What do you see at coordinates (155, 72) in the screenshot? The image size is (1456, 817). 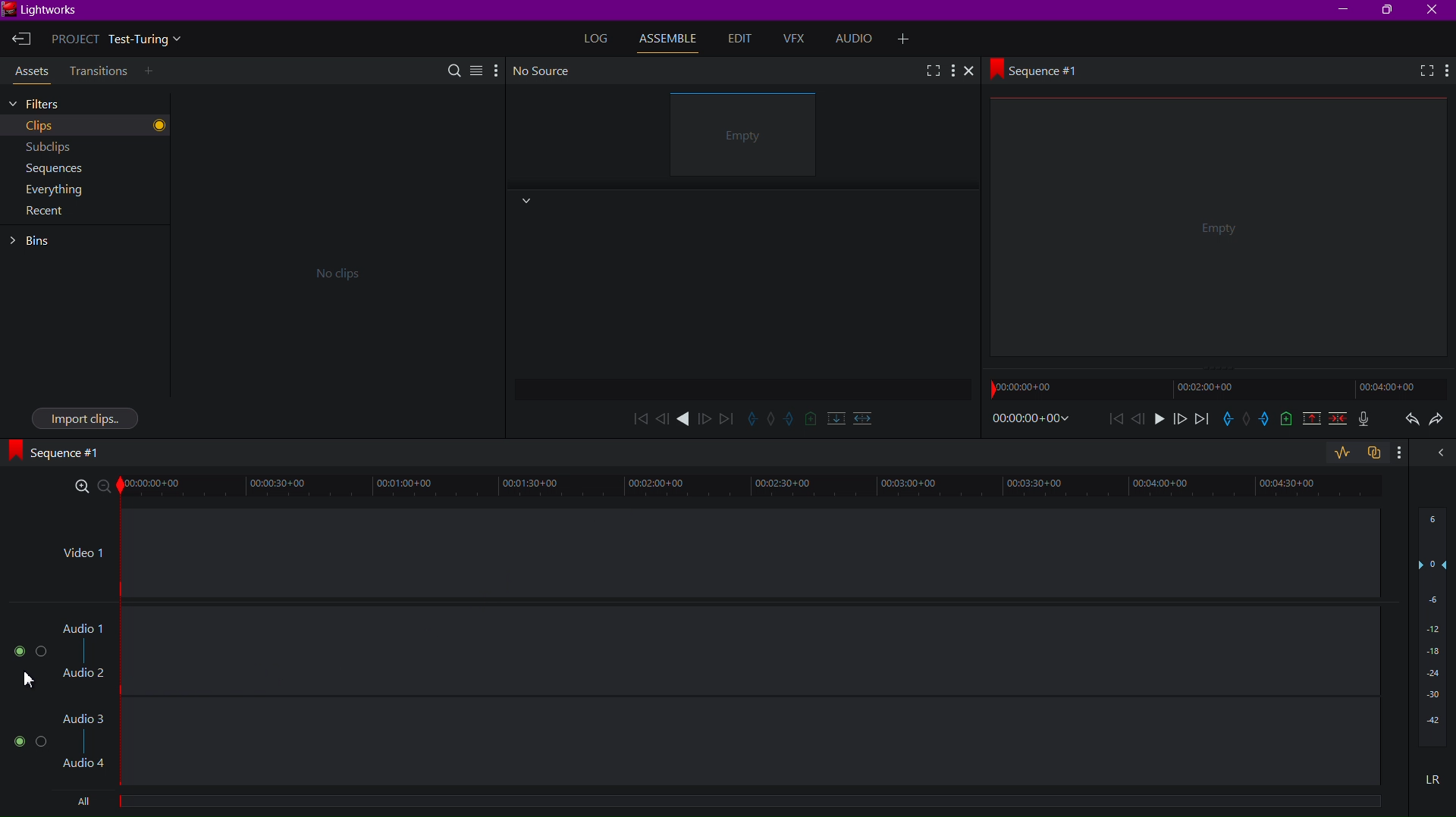 I see `Add` at bounding box center [155, 72].